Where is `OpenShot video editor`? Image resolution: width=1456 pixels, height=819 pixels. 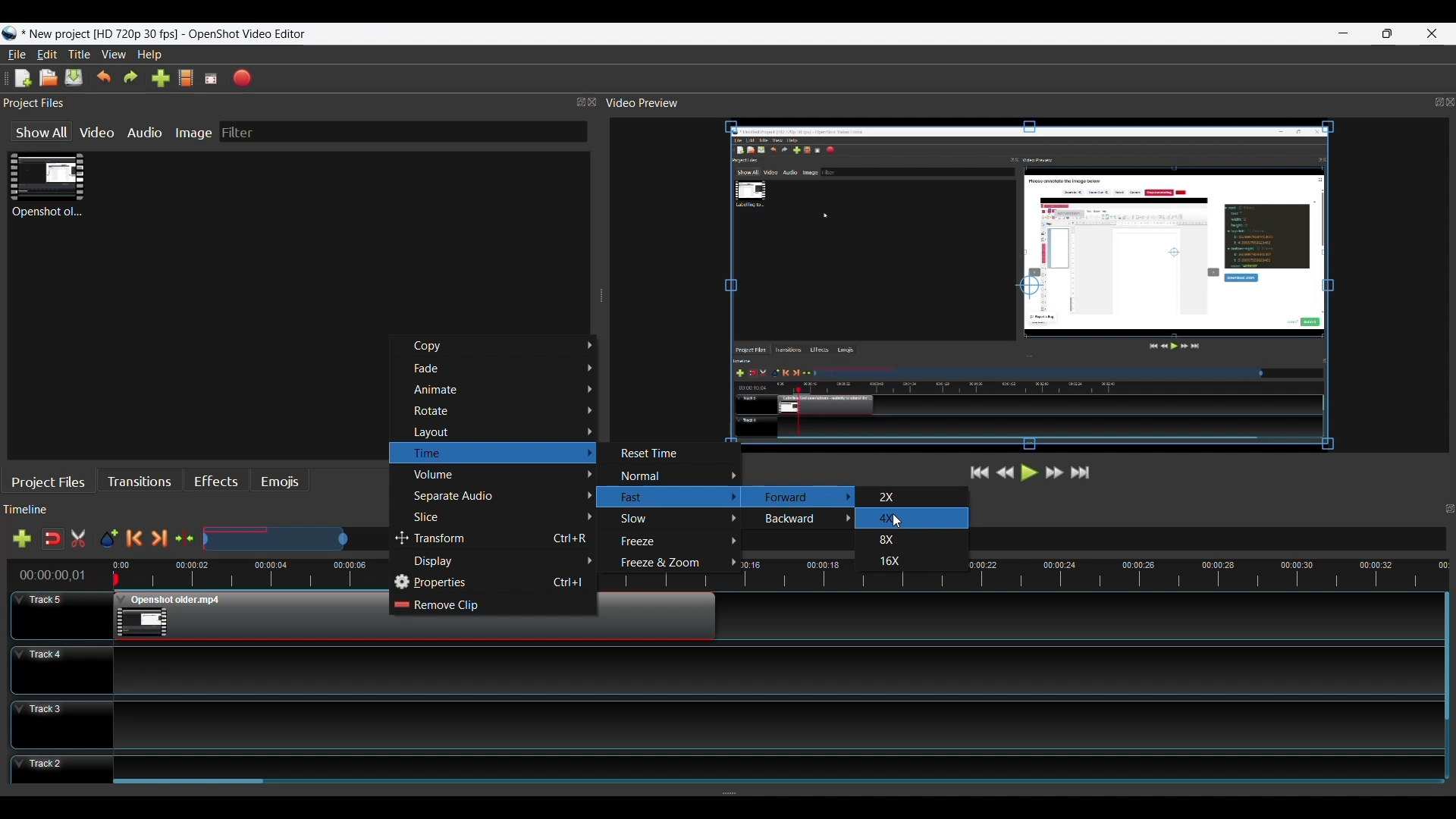
OpenShot video editor is located at coordinates (253, 34).